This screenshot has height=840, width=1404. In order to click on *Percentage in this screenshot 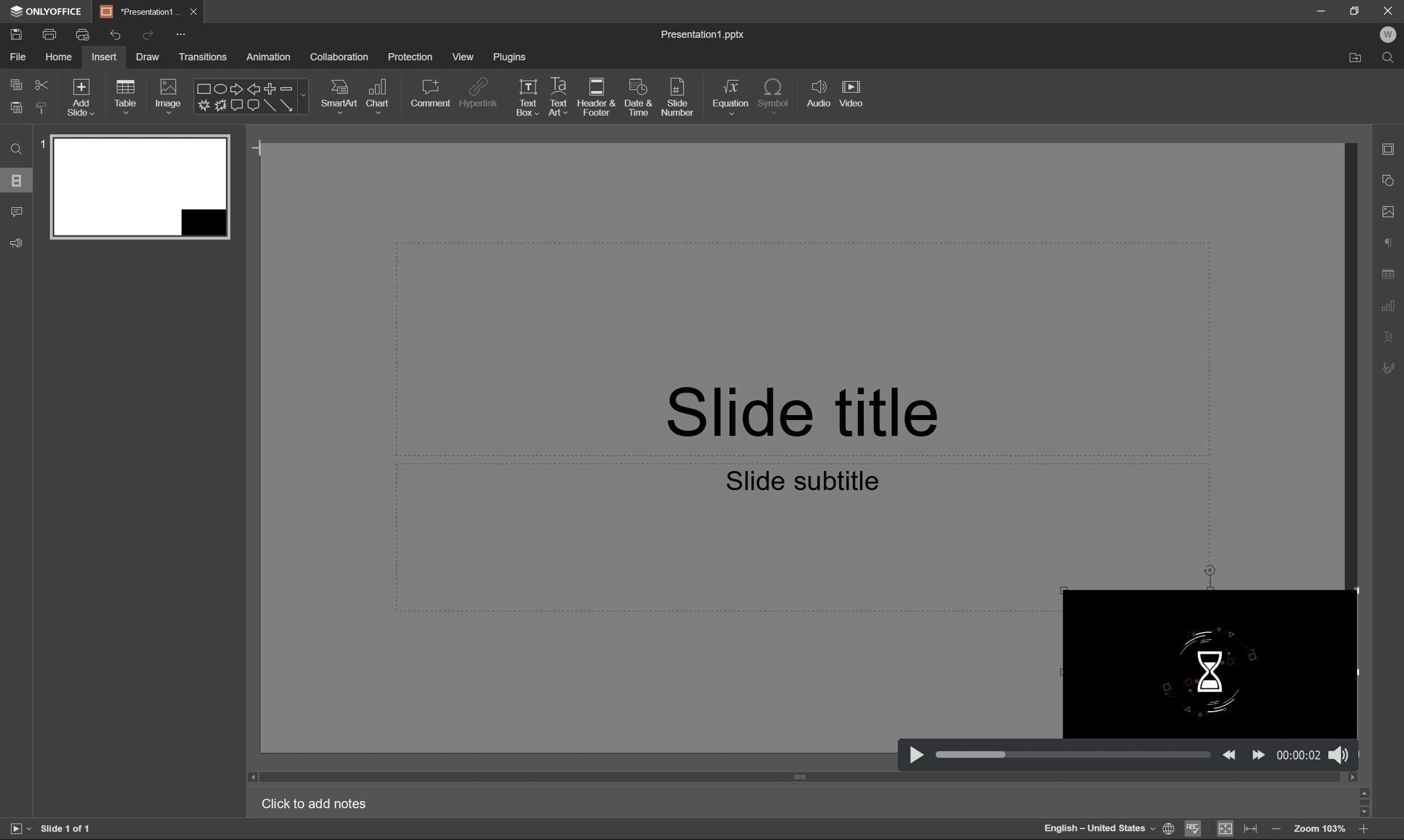, I will do `click(142, 10)`.